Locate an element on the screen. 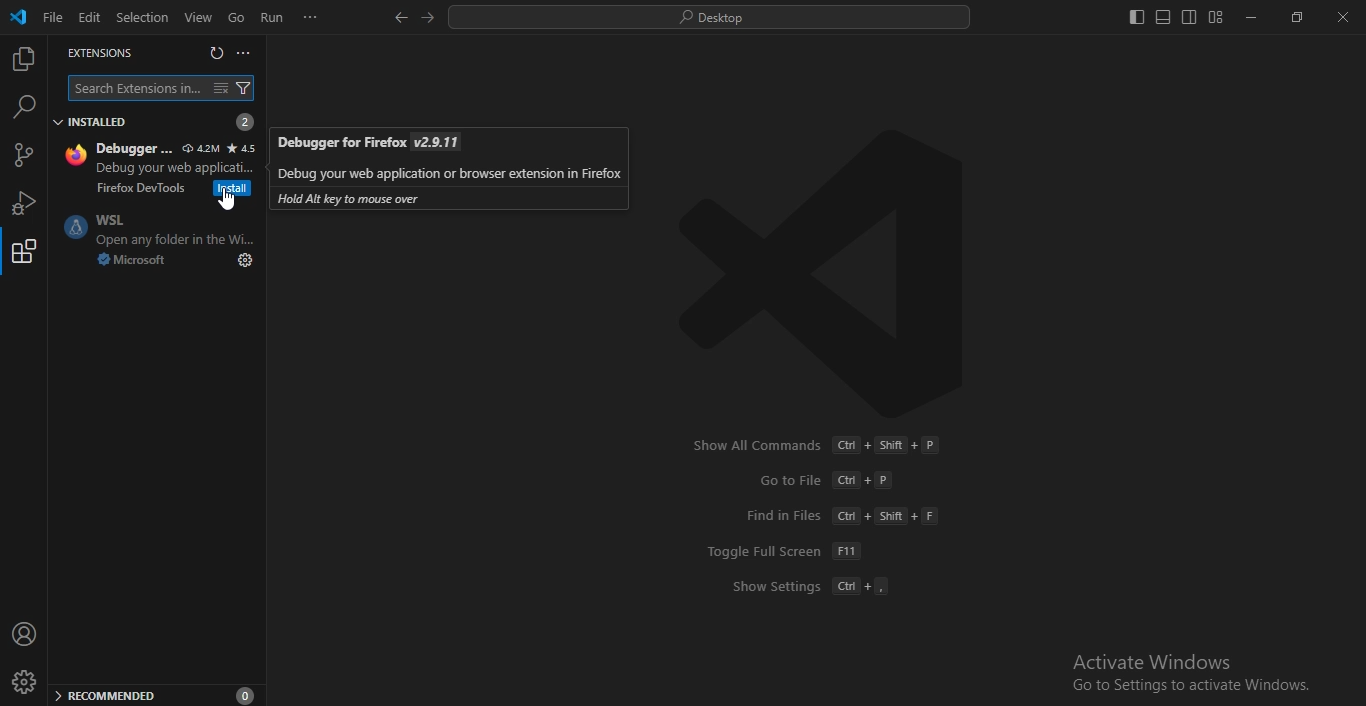 This screenshot has height=706, width=1366. mozilla firefox icon is located at coordinates (73, 155).